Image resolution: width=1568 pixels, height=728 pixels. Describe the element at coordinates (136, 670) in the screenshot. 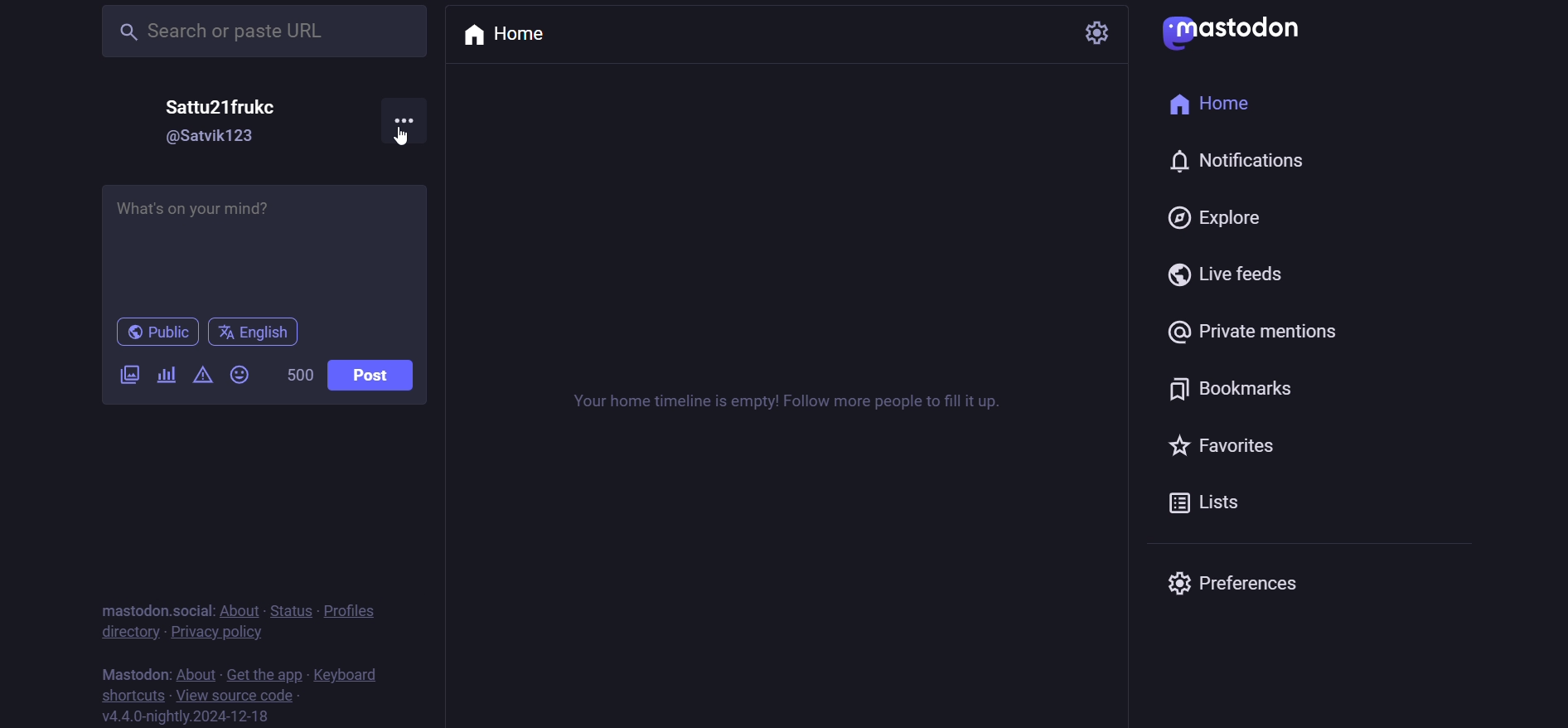

I see `mastodon` at that location.